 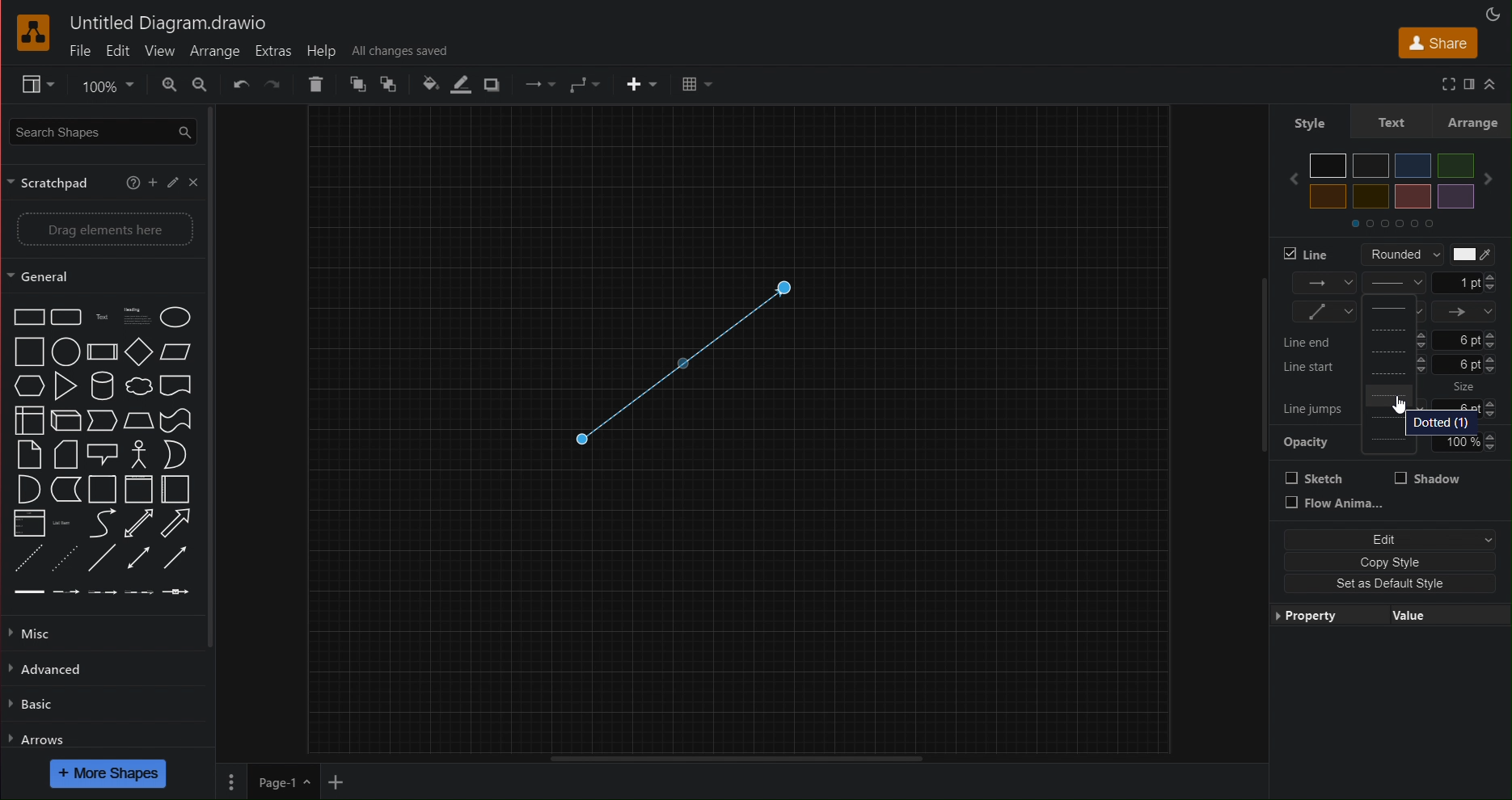 I want to click on Search Shapes, so click(x=99, y=130).